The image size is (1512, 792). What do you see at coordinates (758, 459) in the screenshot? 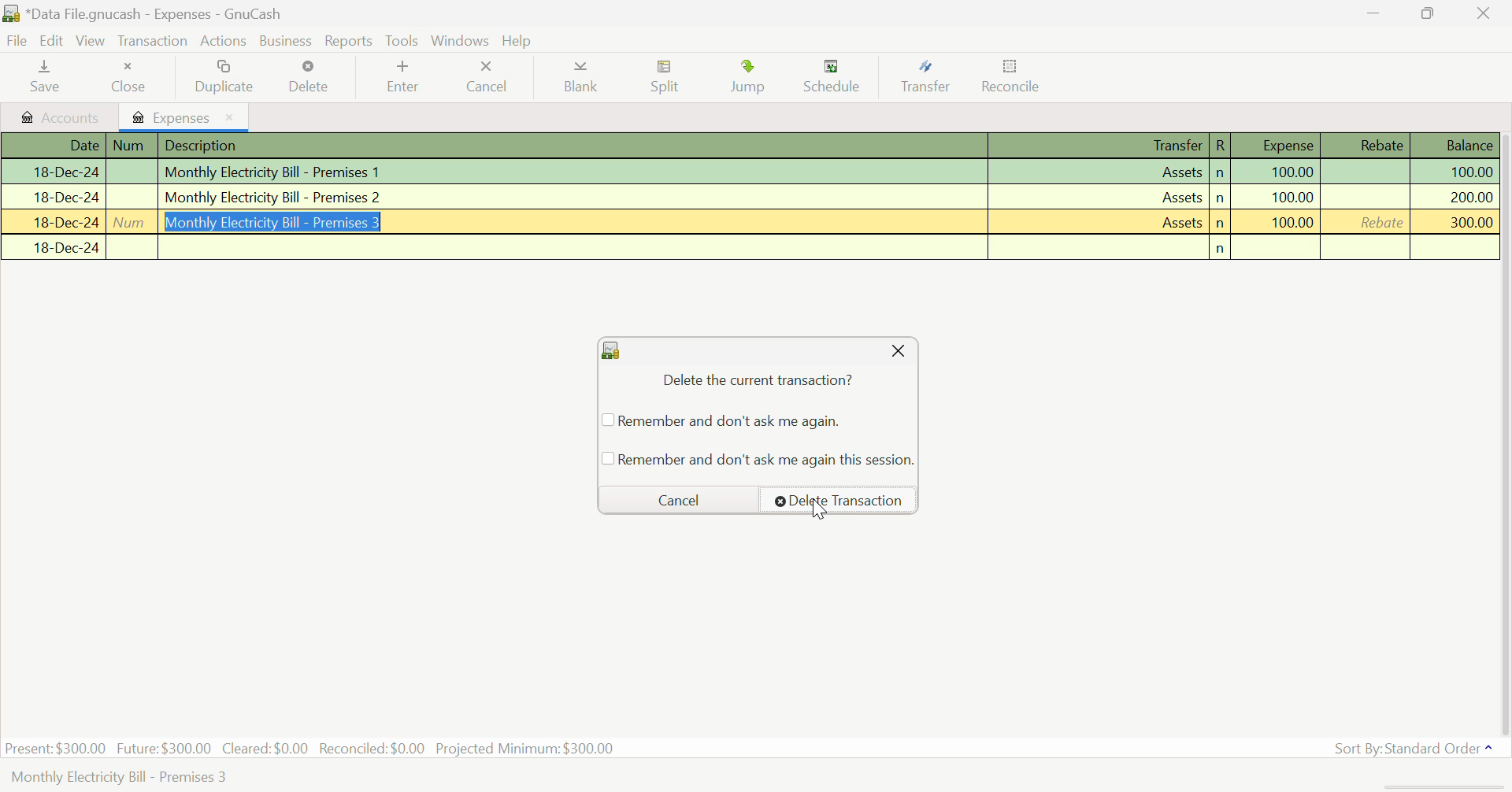
I see `Remember and don't ask me again this session.` at bounding box center [758, 459].